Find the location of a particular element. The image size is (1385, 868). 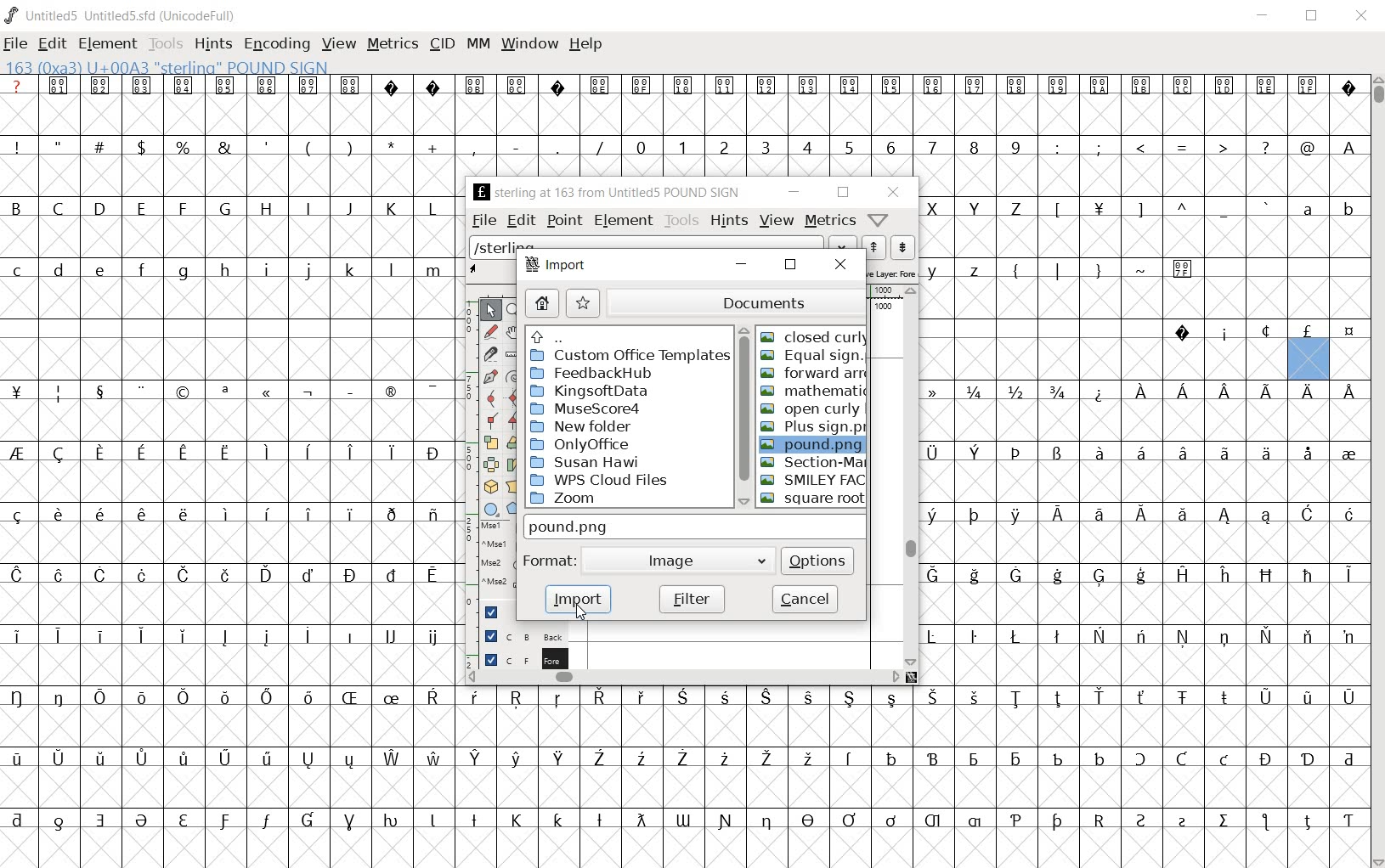

; is located at coordinates (1099, 149).